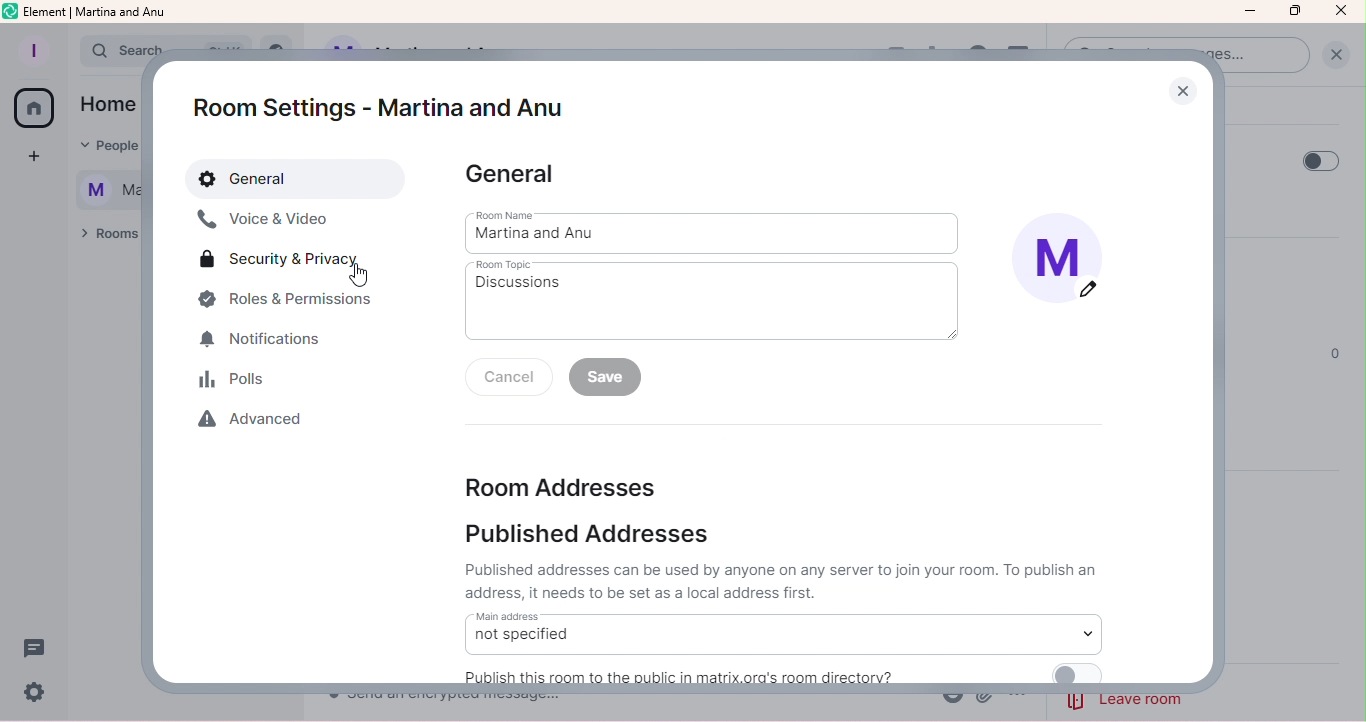 This screenshot has width=1366, height=722. I want to click on leave room, so click(1131, 701).